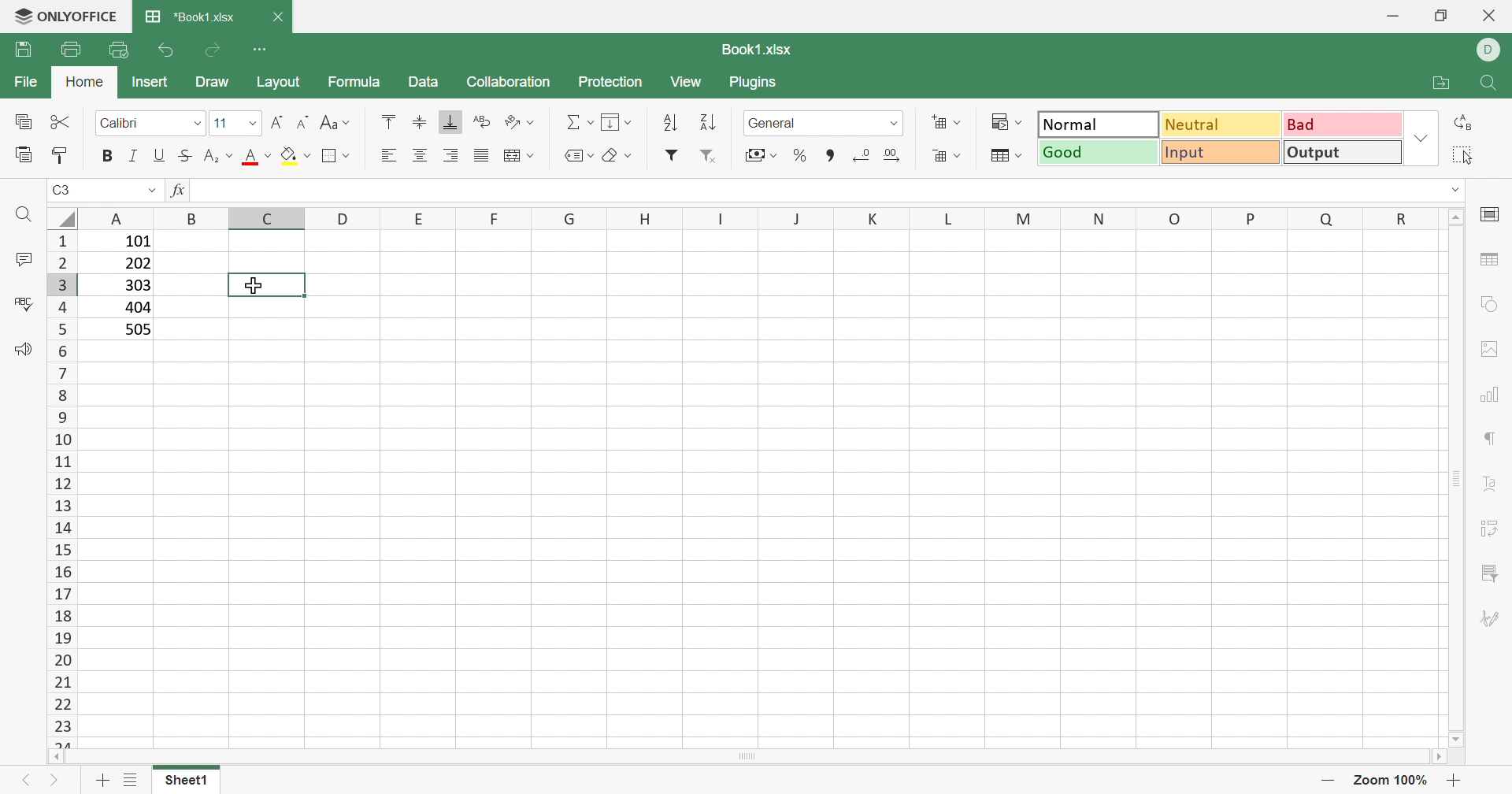 The image size is (1512, 794). I want to click on paragraph settings, so click(1492, 438).